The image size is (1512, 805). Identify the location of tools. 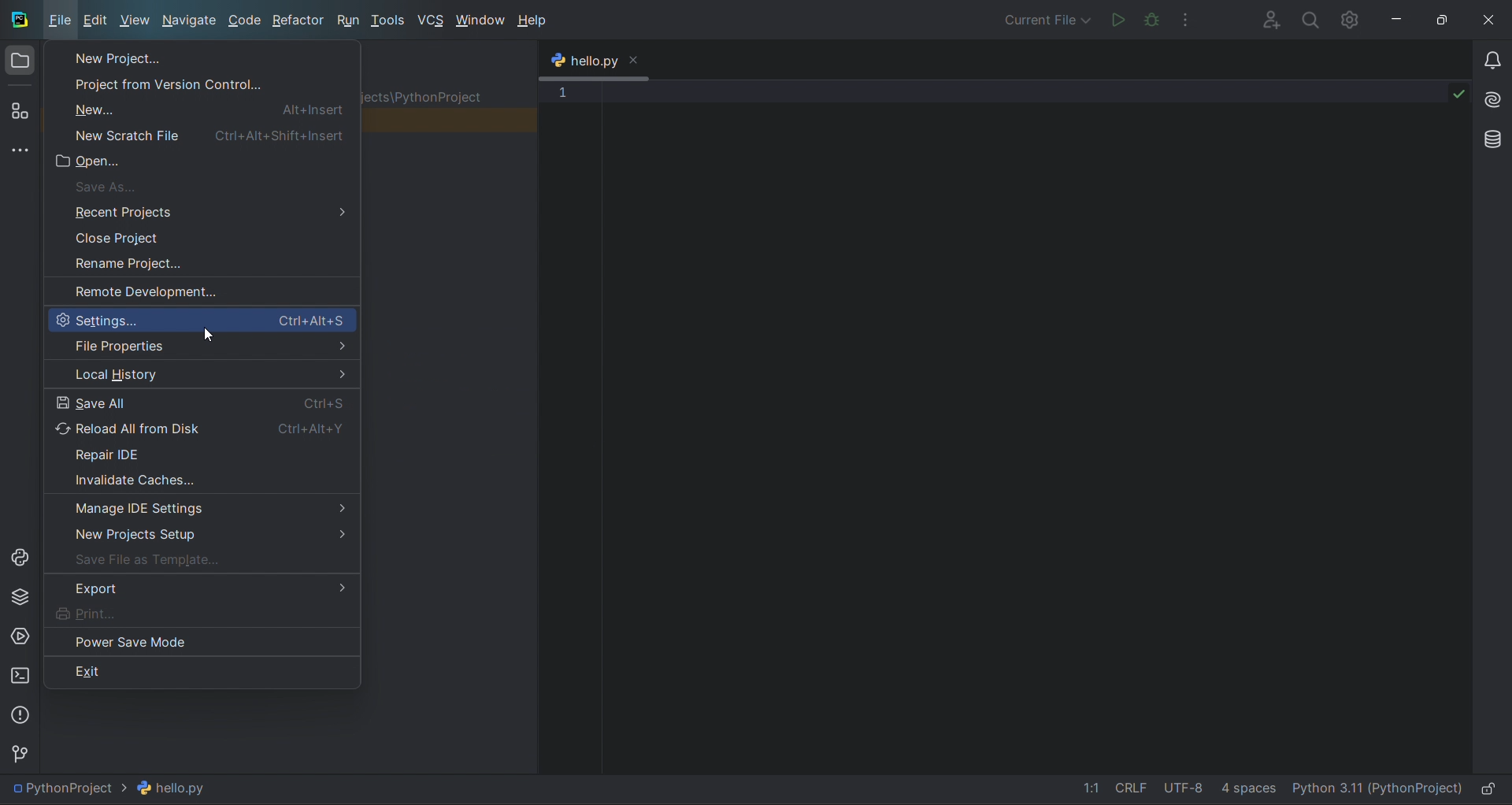
(388, 20).